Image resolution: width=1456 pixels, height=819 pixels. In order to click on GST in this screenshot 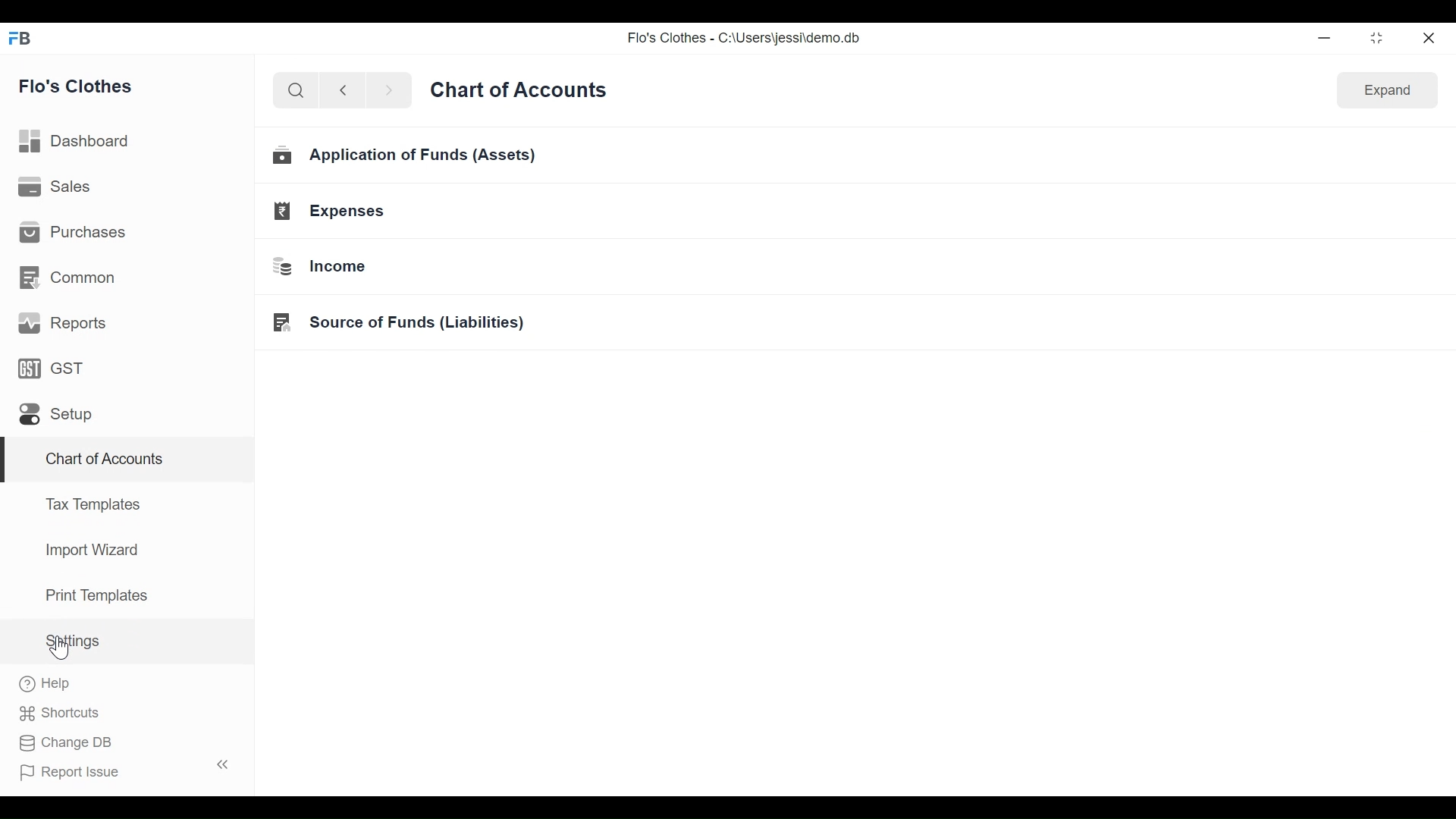, I will do `click(57, 369)`.